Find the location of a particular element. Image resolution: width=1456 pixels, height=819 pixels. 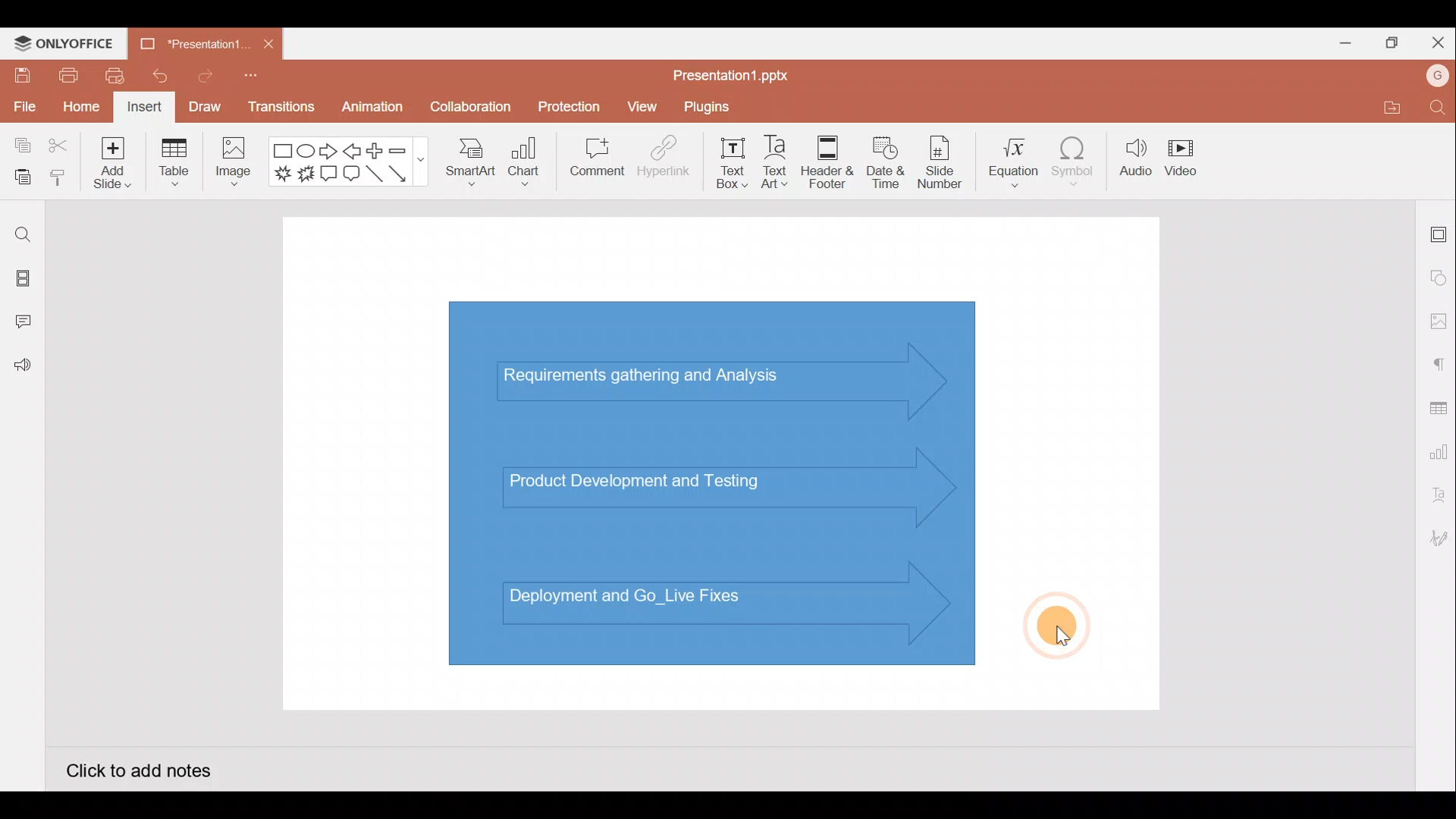

Cut is located at coordinates (59, 146).